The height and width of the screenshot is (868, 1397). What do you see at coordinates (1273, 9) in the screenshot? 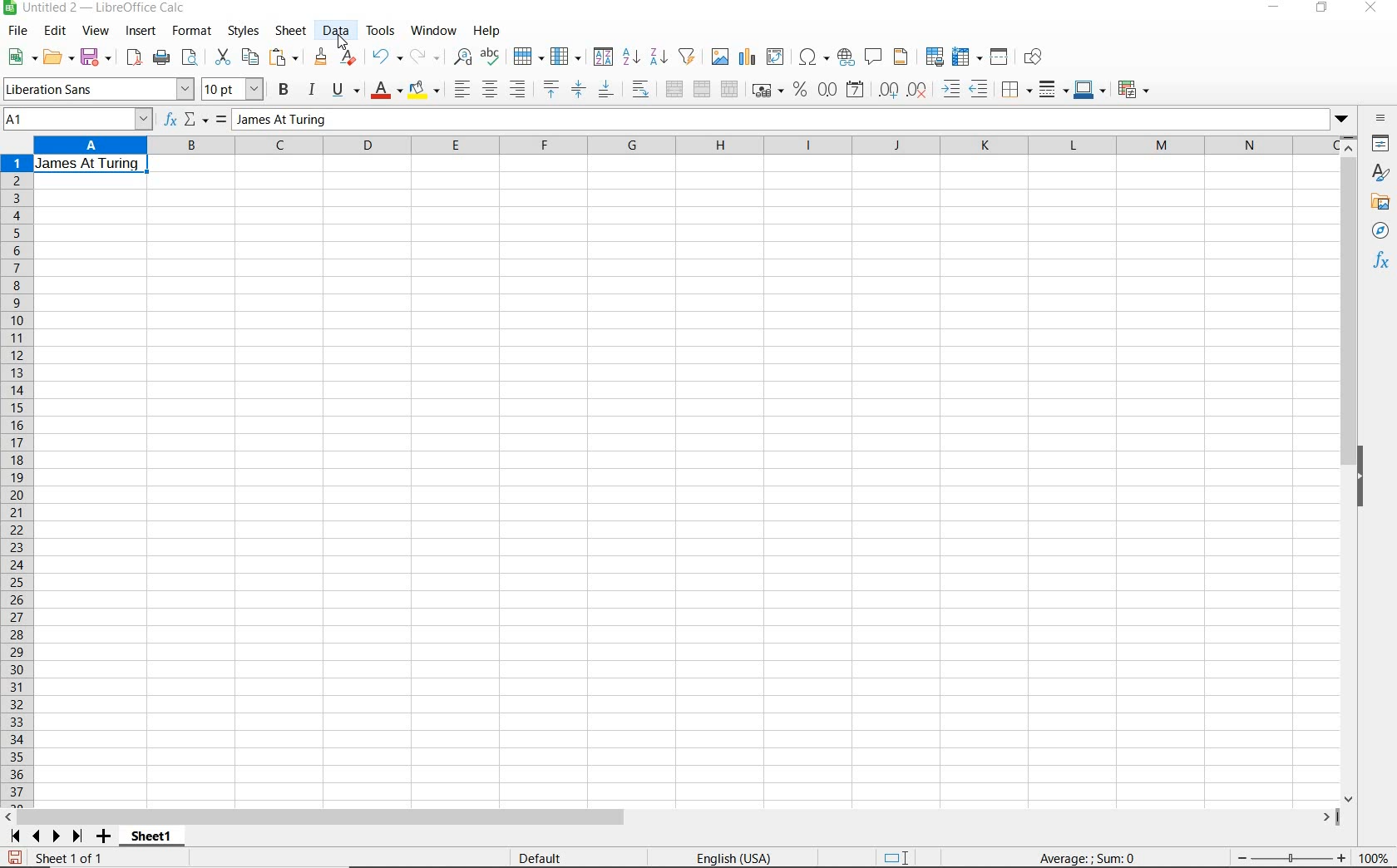
I see `minimize` at bounding box center [1273, 9].